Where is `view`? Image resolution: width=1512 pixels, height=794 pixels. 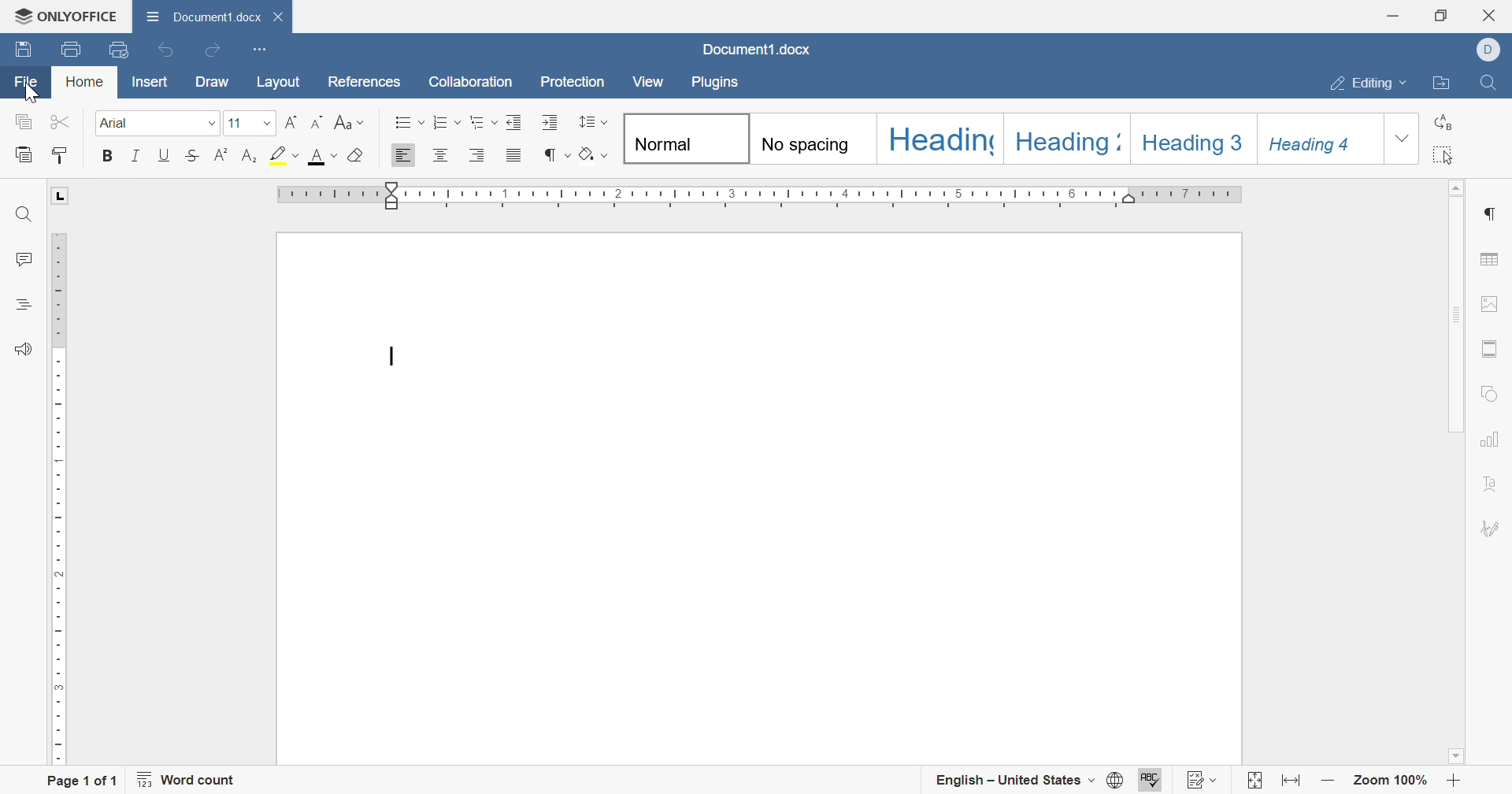
view is located at coordinates (647, 83).